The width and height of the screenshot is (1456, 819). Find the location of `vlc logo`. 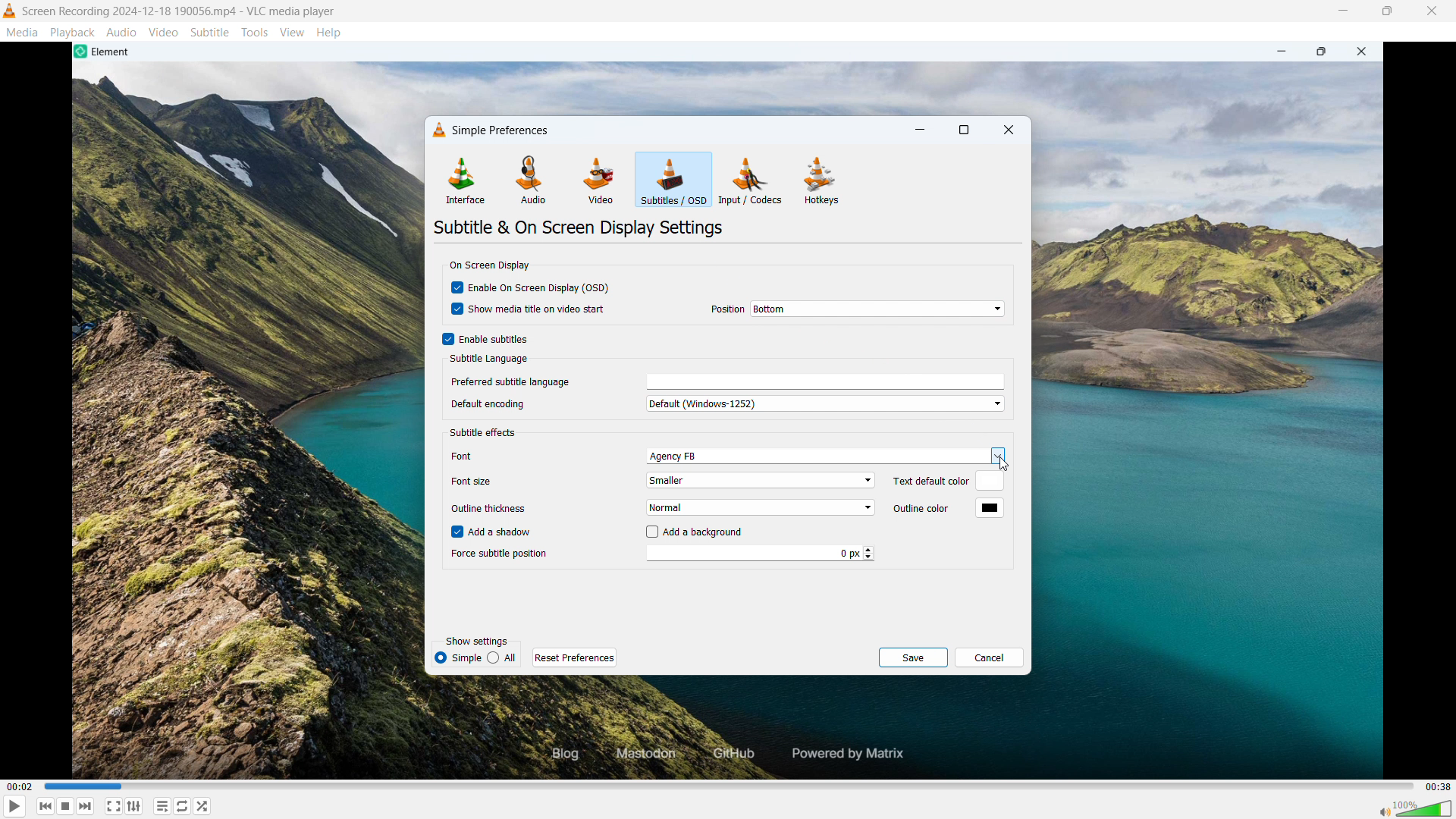

vlc logo is located at coordinates (440, 130).